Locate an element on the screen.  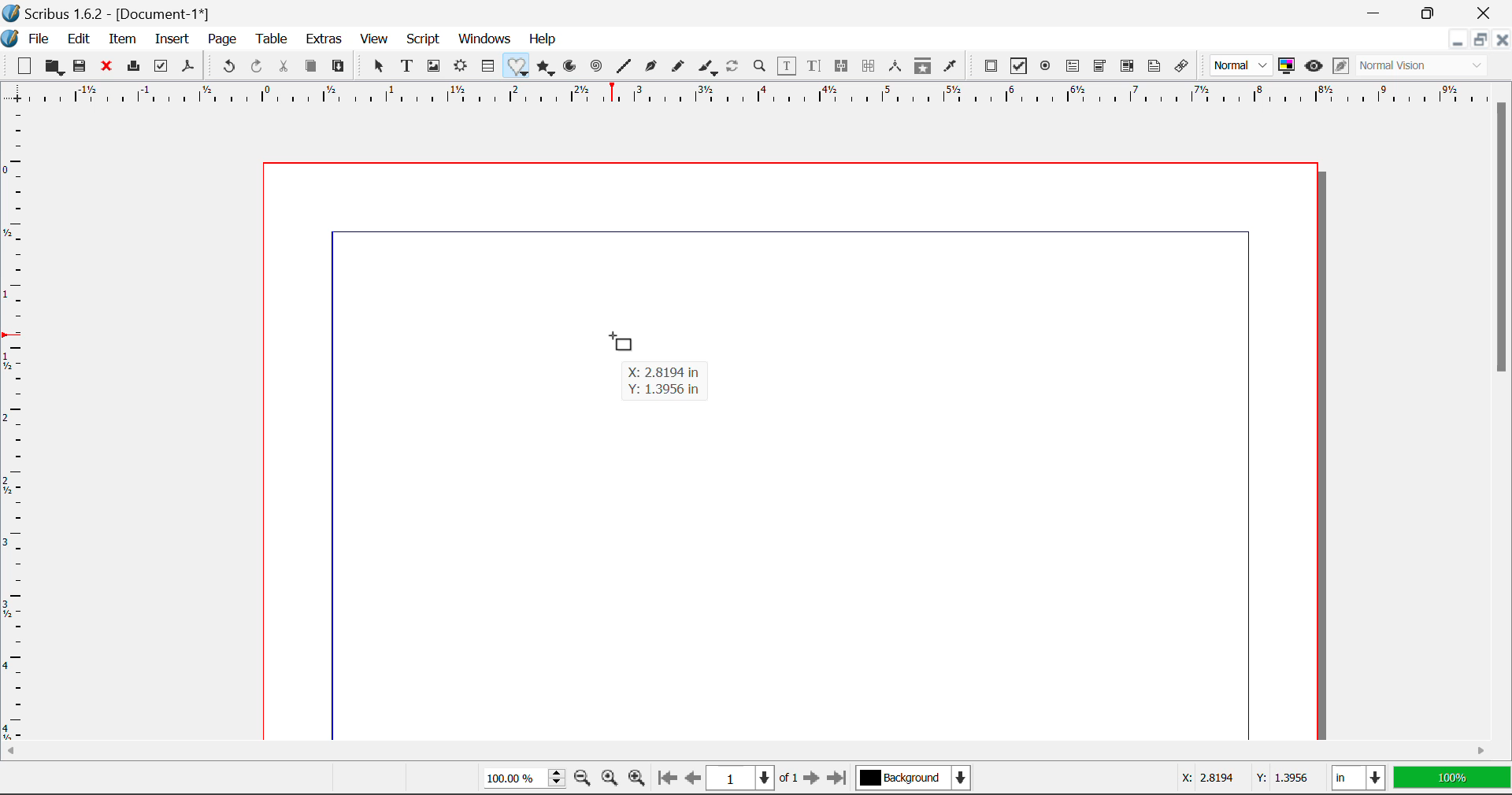
Edit is located at coordinates (79, 39).